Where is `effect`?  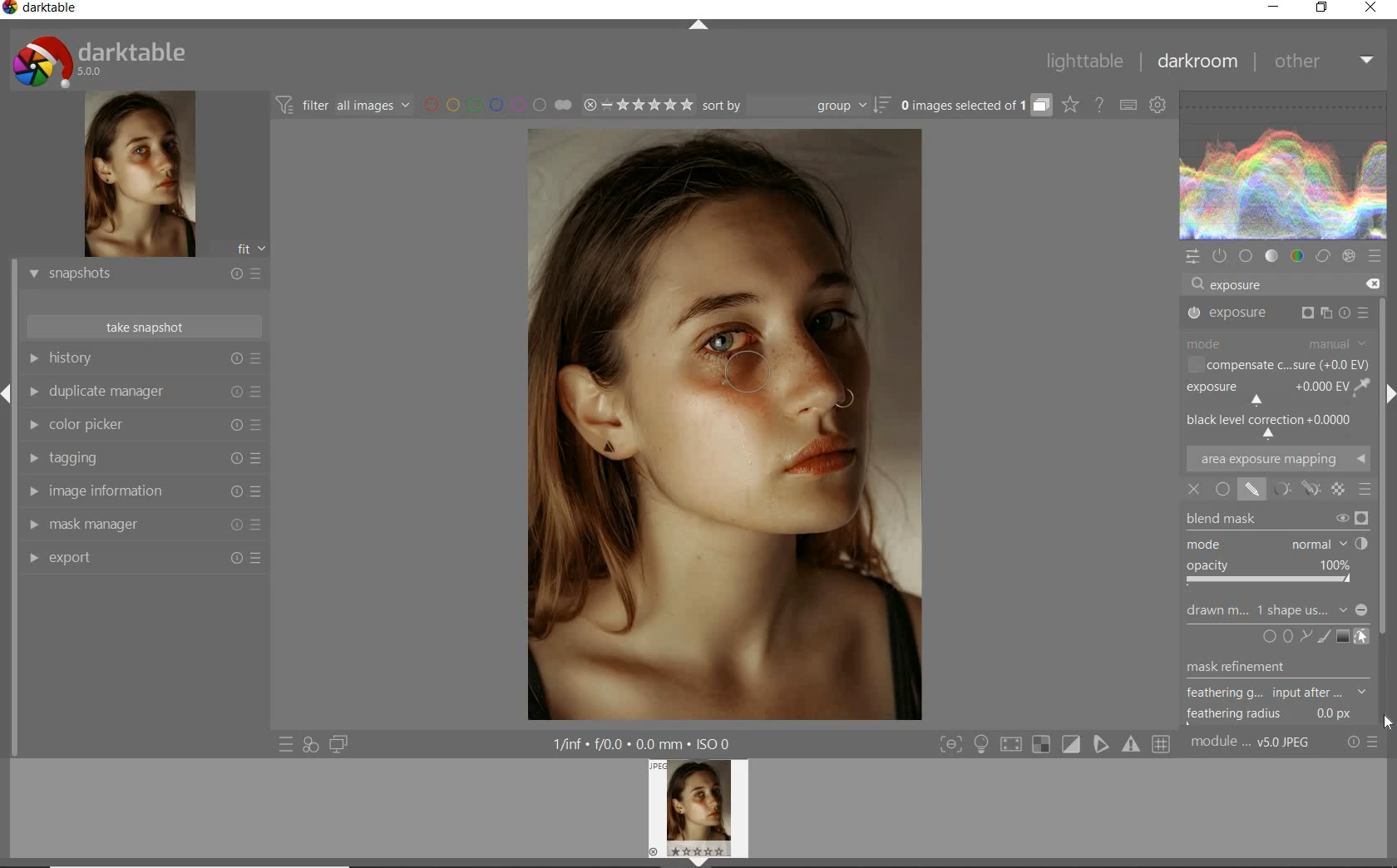
effect is located at coordinates (1348, 256).